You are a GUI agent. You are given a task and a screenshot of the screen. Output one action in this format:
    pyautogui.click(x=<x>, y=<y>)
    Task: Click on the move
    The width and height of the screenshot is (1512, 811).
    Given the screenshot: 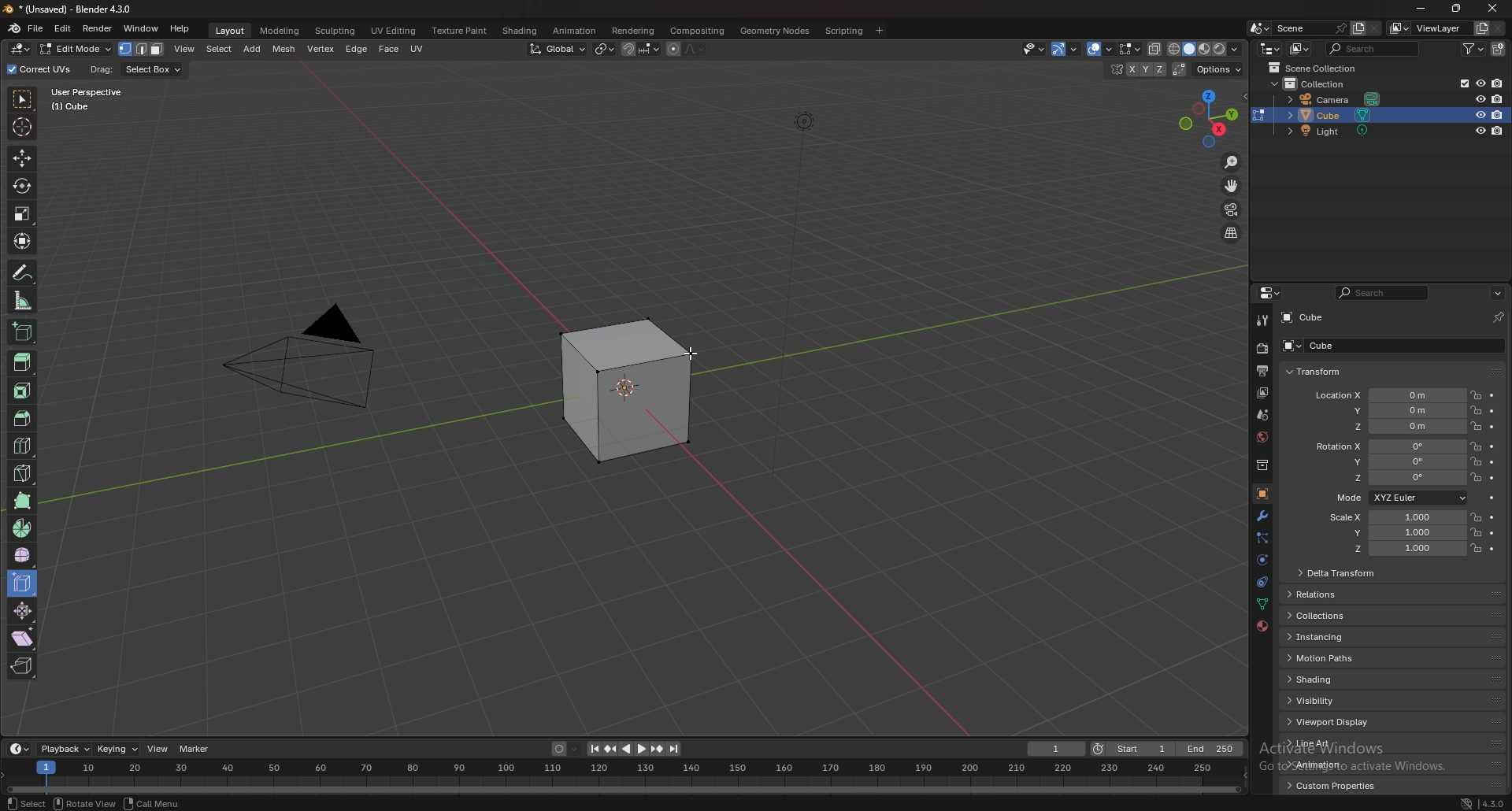 What is the action you would take?
    pyautogui.click(x=1232, y=184)
    